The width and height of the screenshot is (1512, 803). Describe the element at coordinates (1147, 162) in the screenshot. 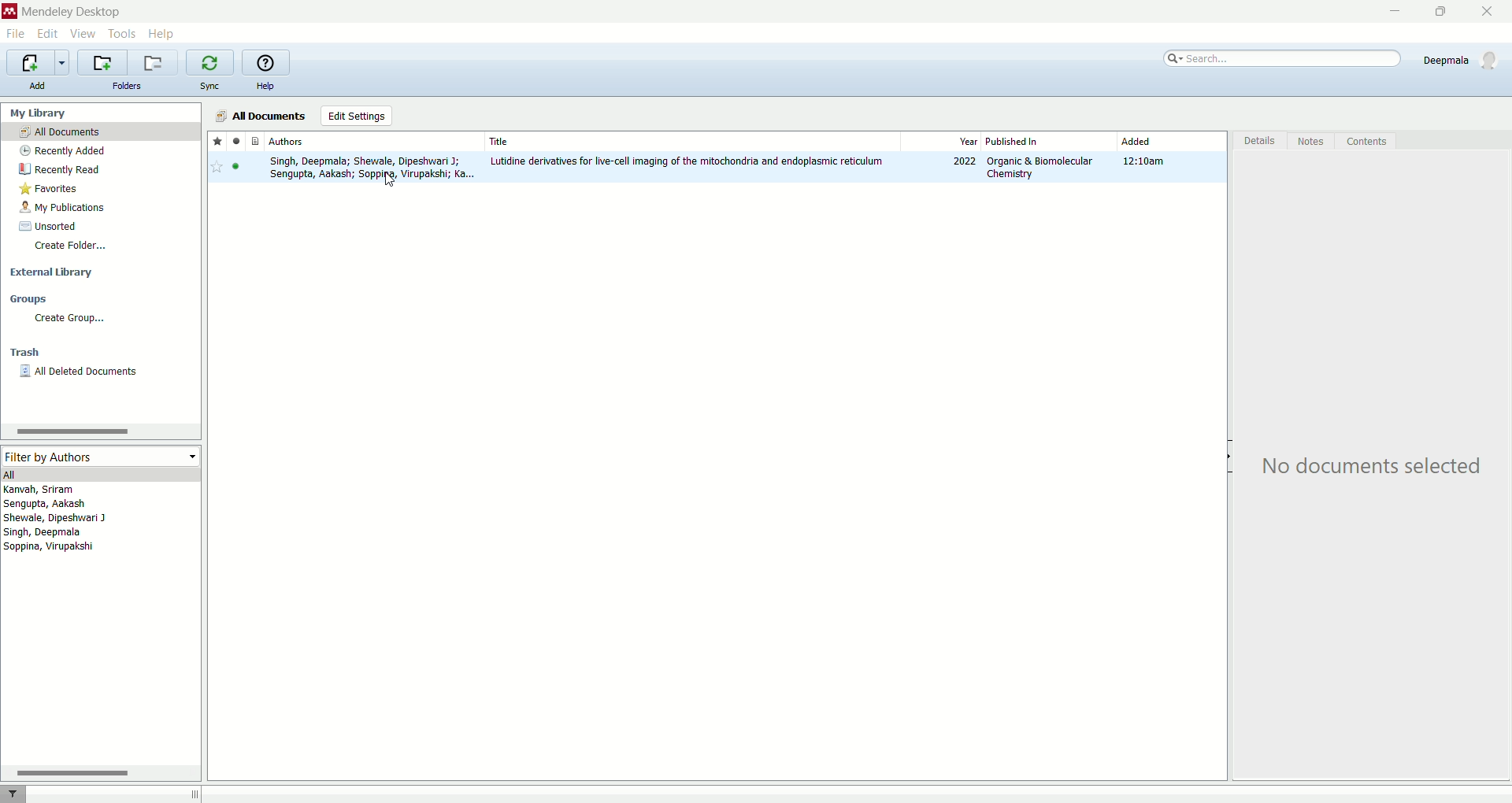

I see `12:10am` at that location.